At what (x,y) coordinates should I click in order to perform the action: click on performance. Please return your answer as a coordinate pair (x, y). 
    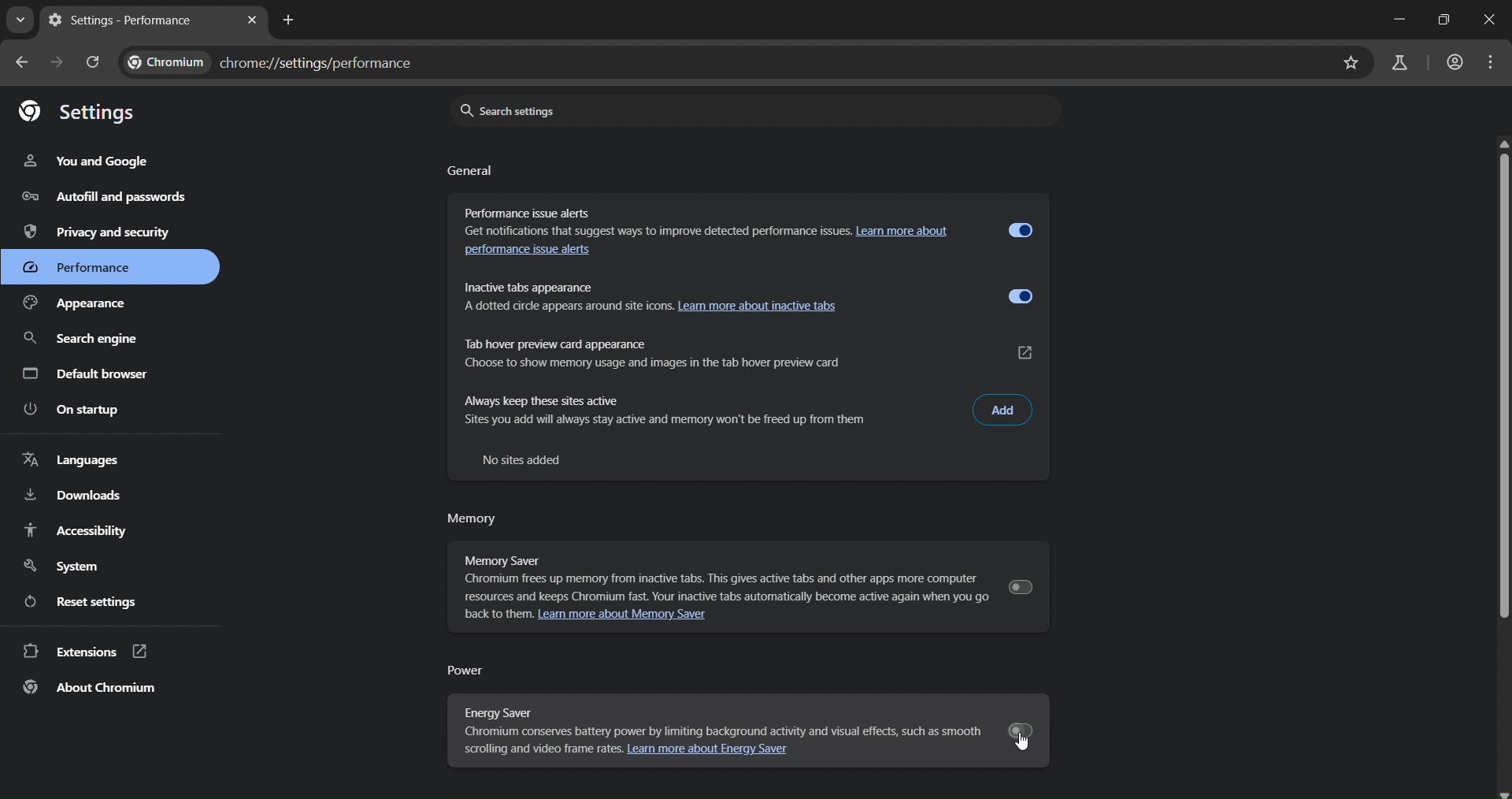
    Looking at the image, I should click on (97, 267).